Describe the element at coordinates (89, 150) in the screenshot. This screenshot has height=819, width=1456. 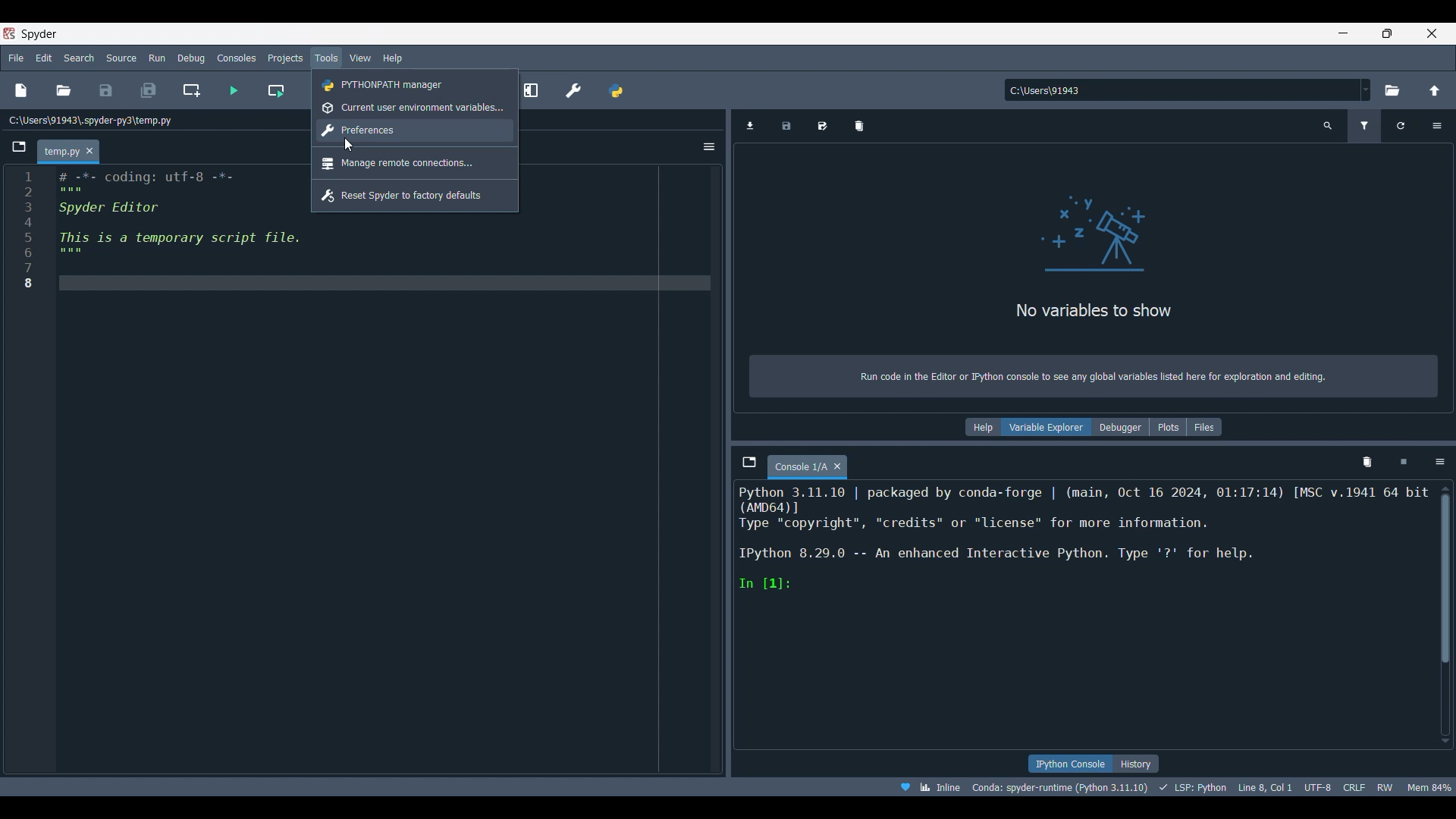
I see `Close tab` at that location.